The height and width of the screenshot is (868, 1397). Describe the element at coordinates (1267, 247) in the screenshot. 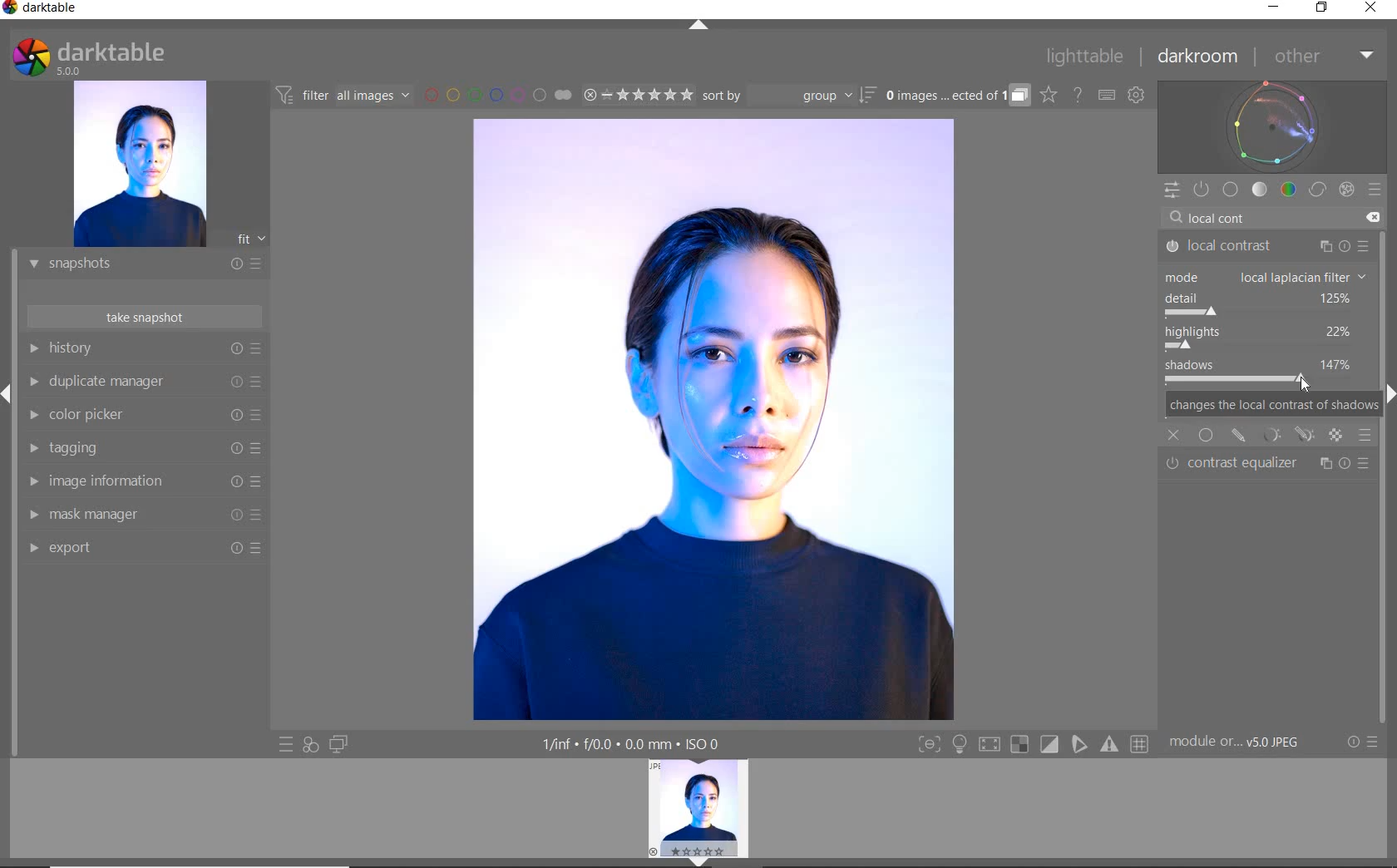

I see `LOCAL CONTRAST` at that location.